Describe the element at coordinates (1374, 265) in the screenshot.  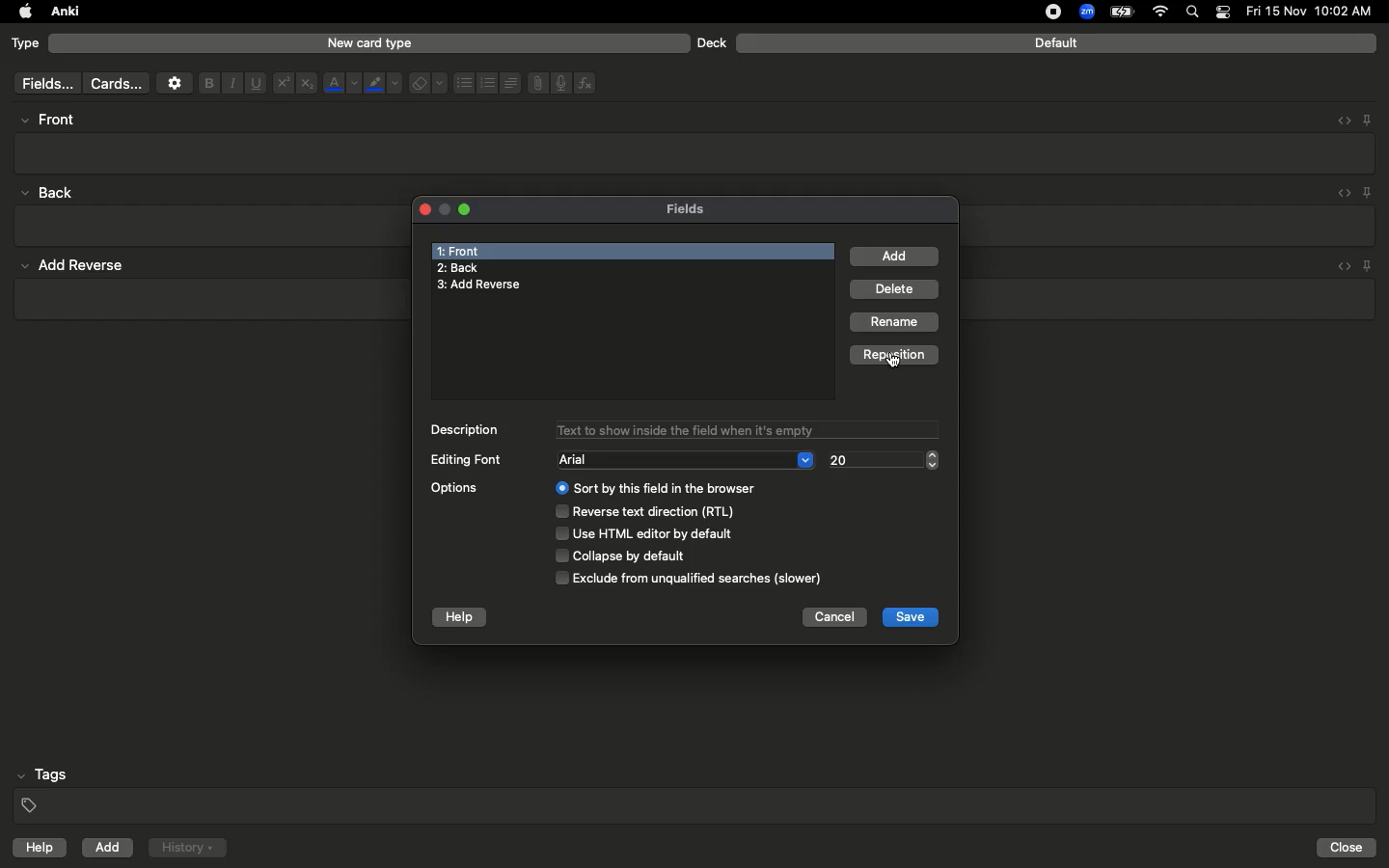
I see `pin` at that location.